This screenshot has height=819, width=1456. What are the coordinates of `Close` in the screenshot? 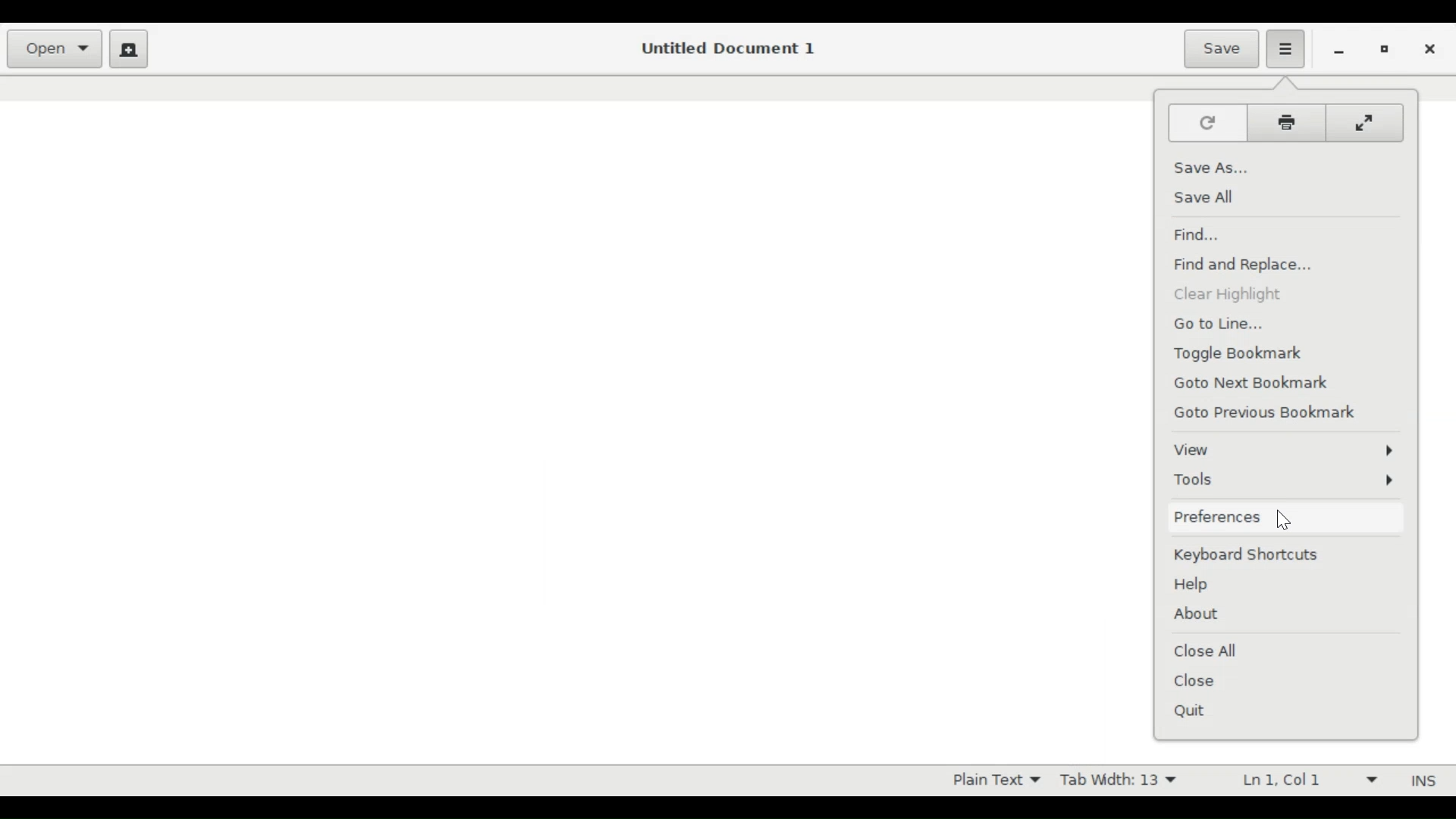 It's located at (1203, 682).